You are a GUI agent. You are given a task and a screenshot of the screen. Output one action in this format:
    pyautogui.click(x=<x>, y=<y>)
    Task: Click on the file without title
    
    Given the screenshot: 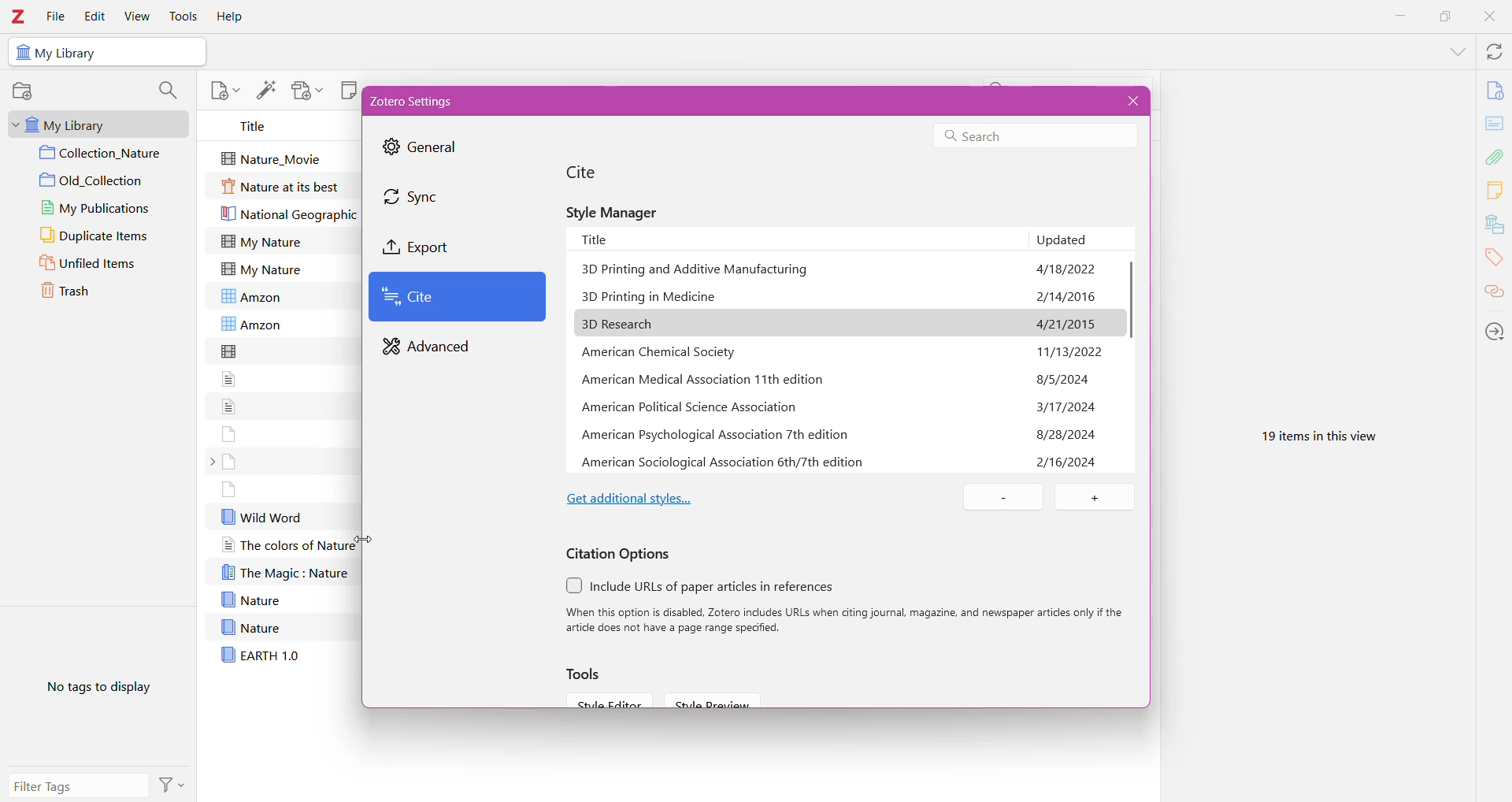 What is the action you would take?
    pyautogui.click(x=231, y=351)
    